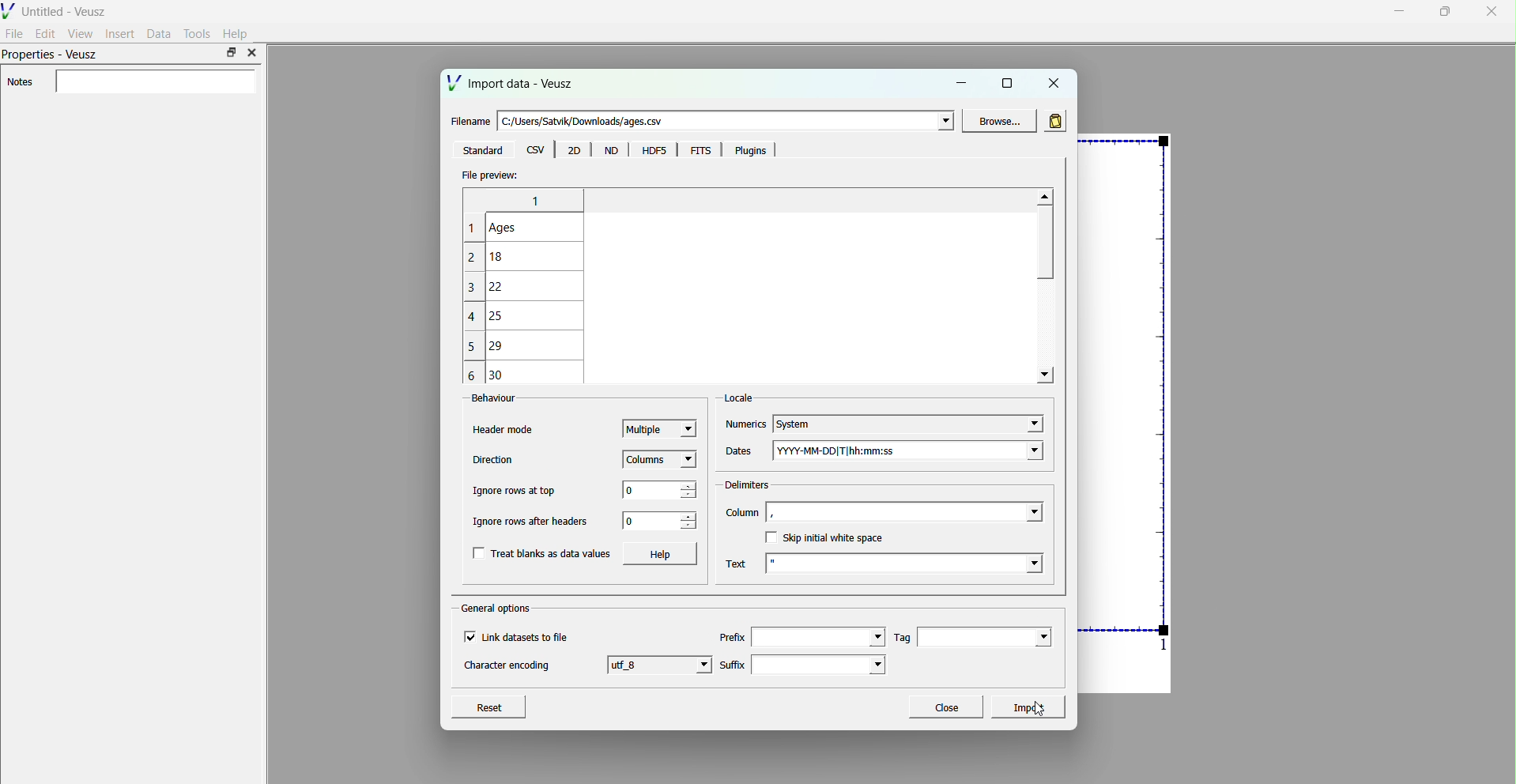 The width and height of the screenshot is (1516, 784). Describe the element at coordinates (1442, 11) in the screenshot. I see `maximise` at that location.